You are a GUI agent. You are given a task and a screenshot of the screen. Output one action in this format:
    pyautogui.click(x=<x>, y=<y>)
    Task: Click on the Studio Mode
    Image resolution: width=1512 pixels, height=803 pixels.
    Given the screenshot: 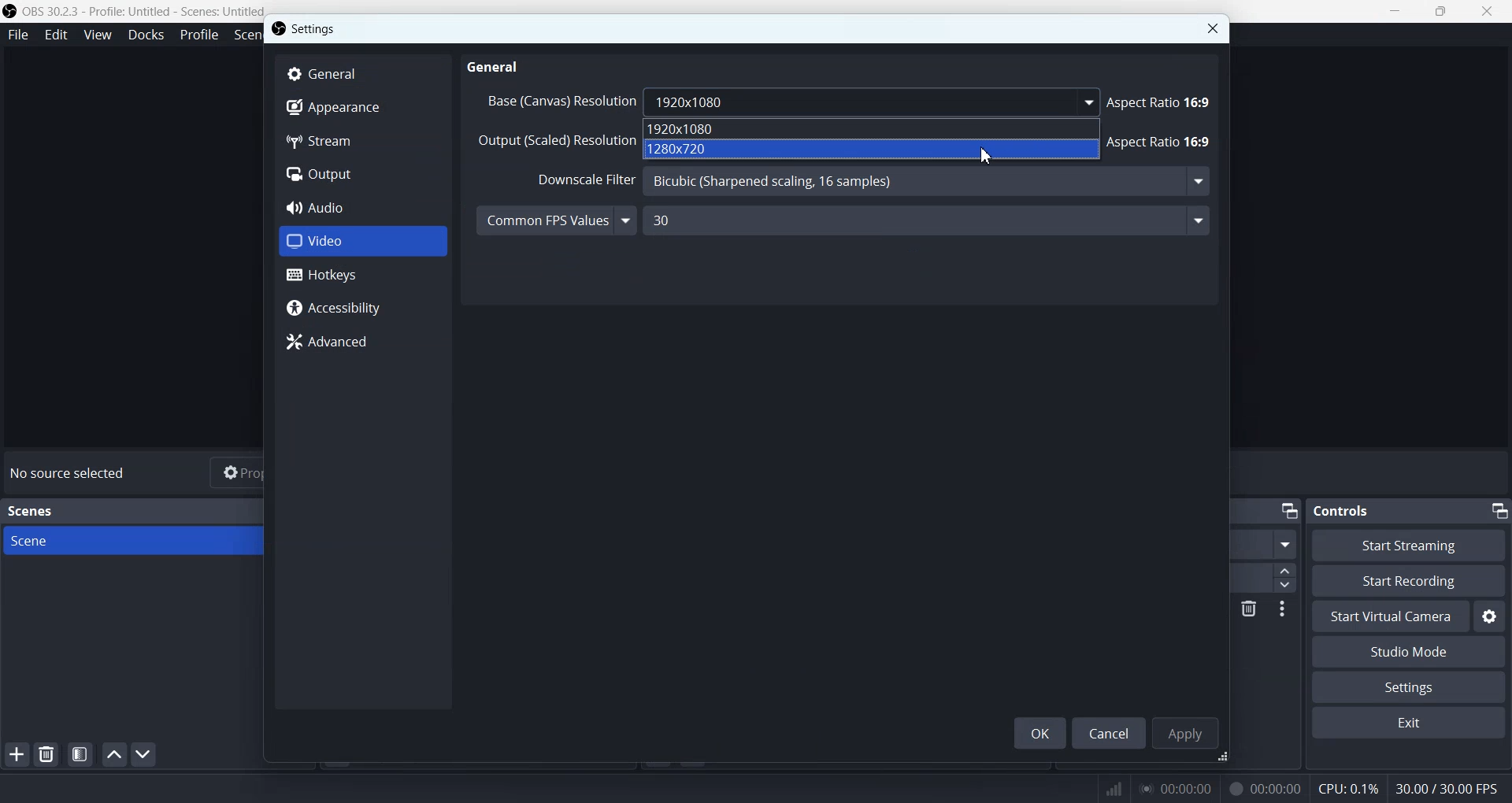 What is the action you would take?
    pyautogui.click(x=1407, y=652)
    